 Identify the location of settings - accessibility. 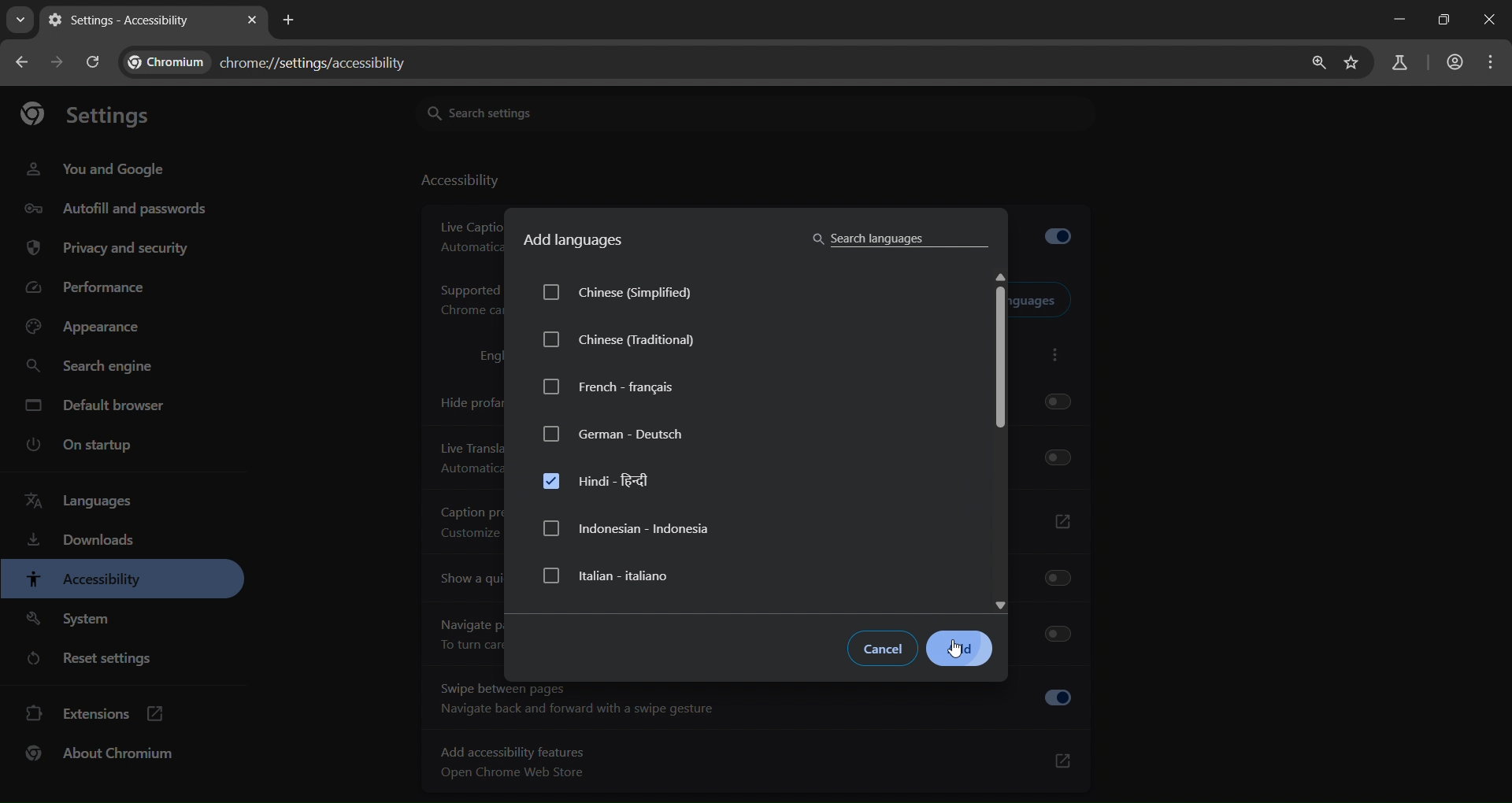
(122, 22).